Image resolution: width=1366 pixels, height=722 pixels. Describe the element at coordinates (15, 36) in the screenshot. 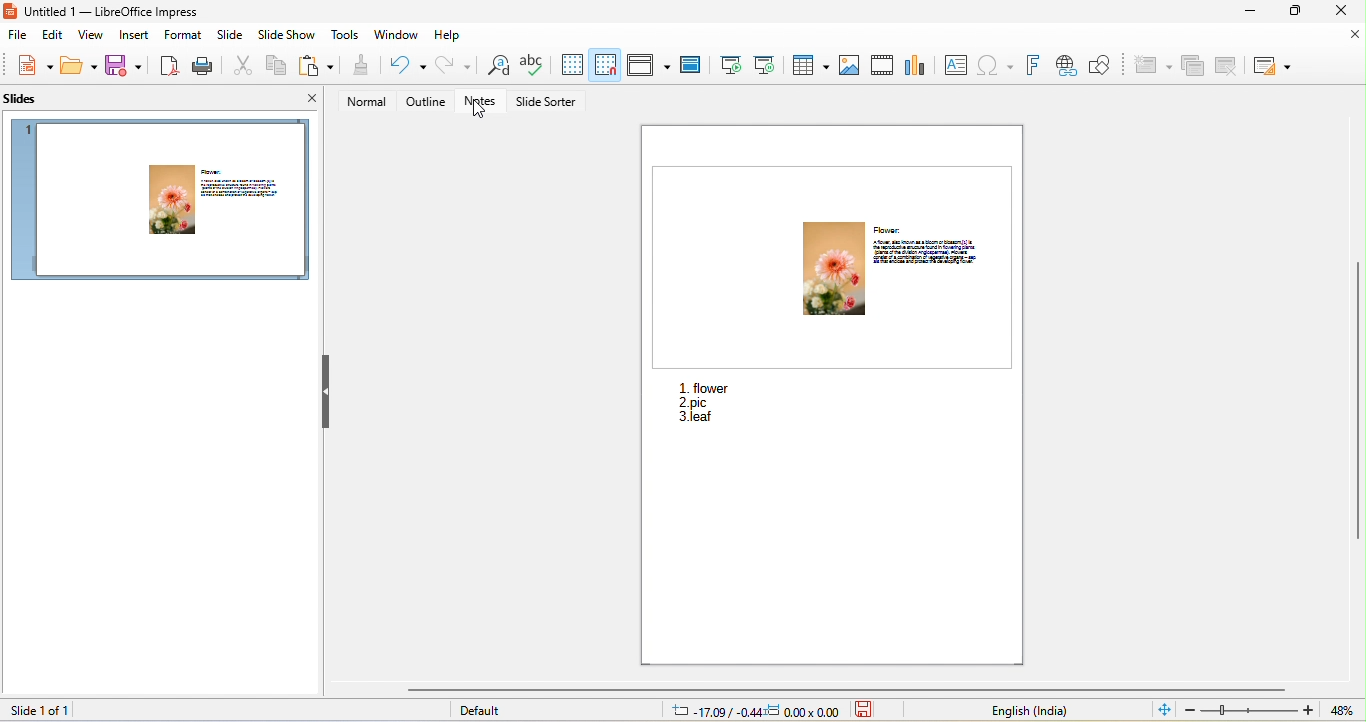

I see `file` at that location.